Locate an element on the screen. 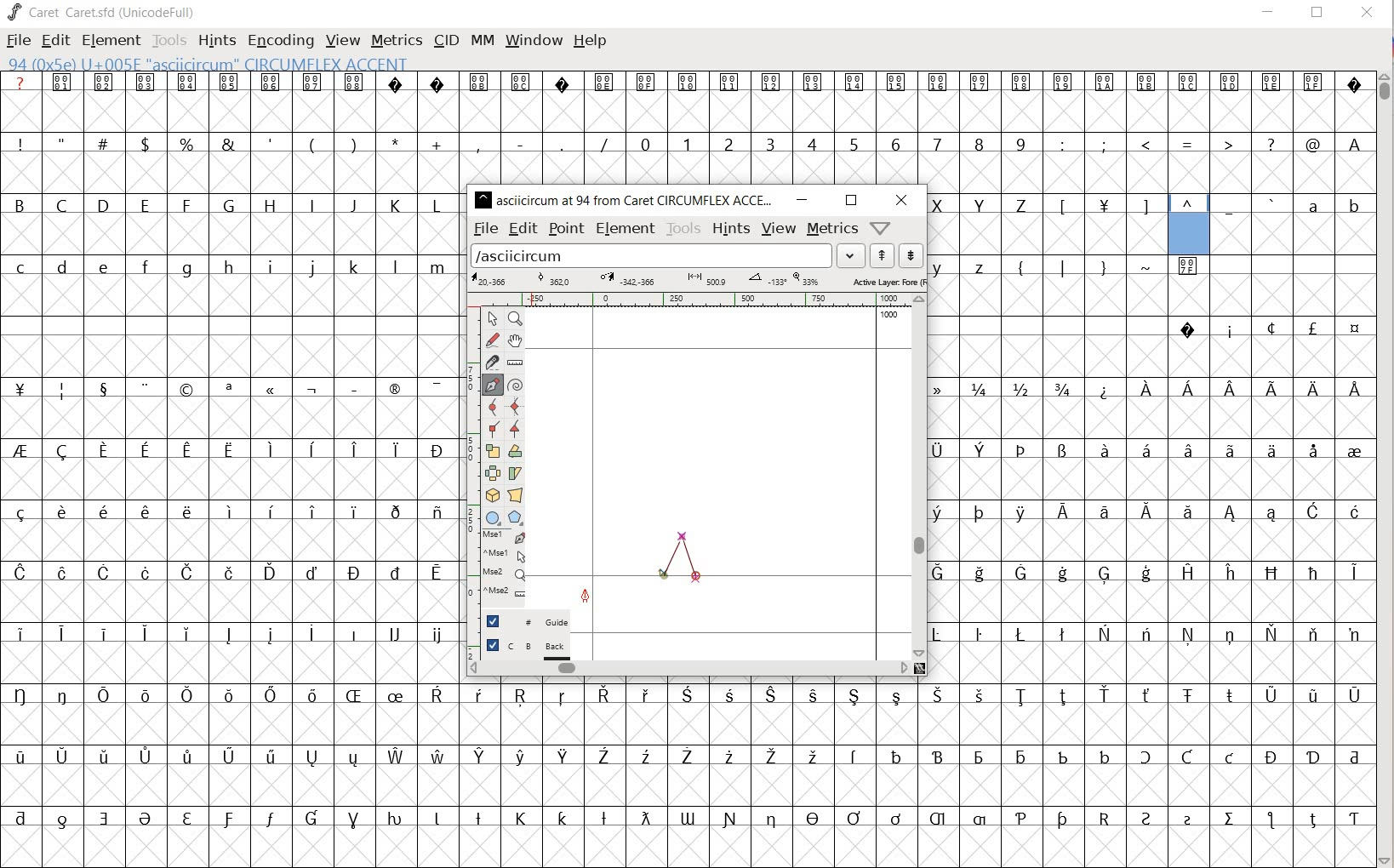 The width and height of the screenshot is (1394, 868). tools is located at coordinates (684, 228).